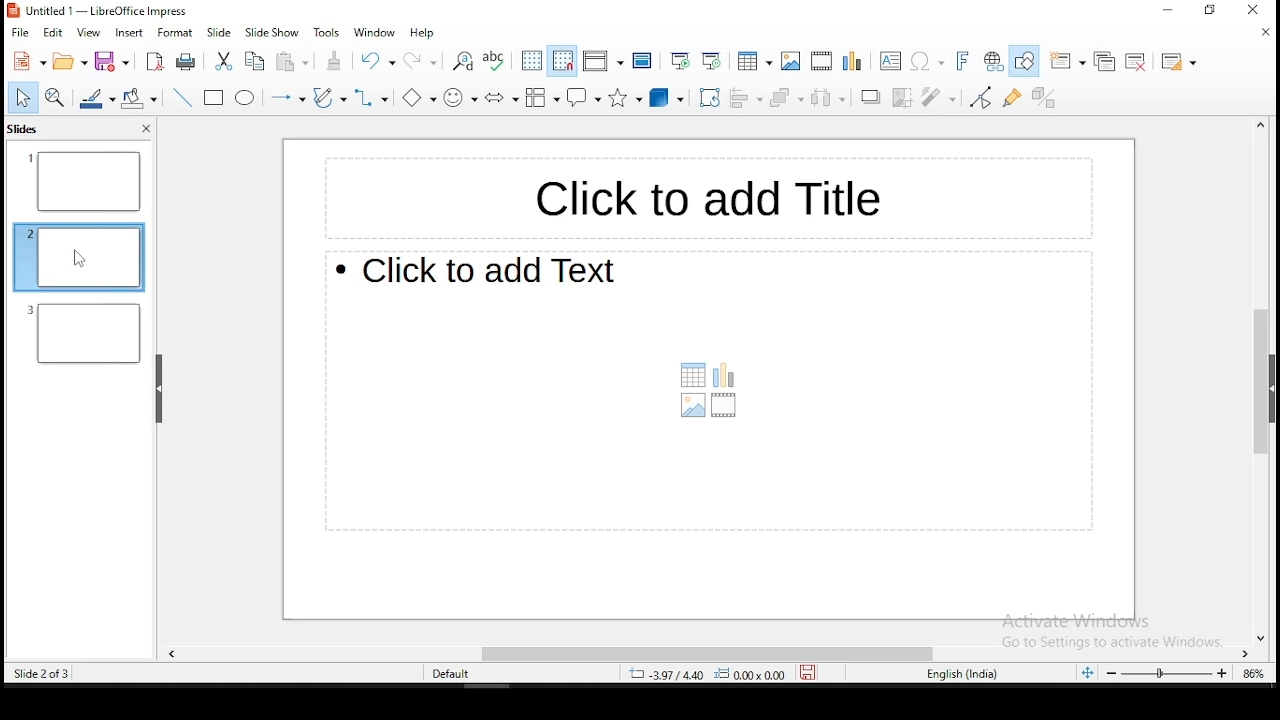 The width and height of the screenshot is (1280, 720). What do you see at coordinates (979, 99) in the screenshot?
I see `toggle point edit mode` at bounding box center [979, 99].